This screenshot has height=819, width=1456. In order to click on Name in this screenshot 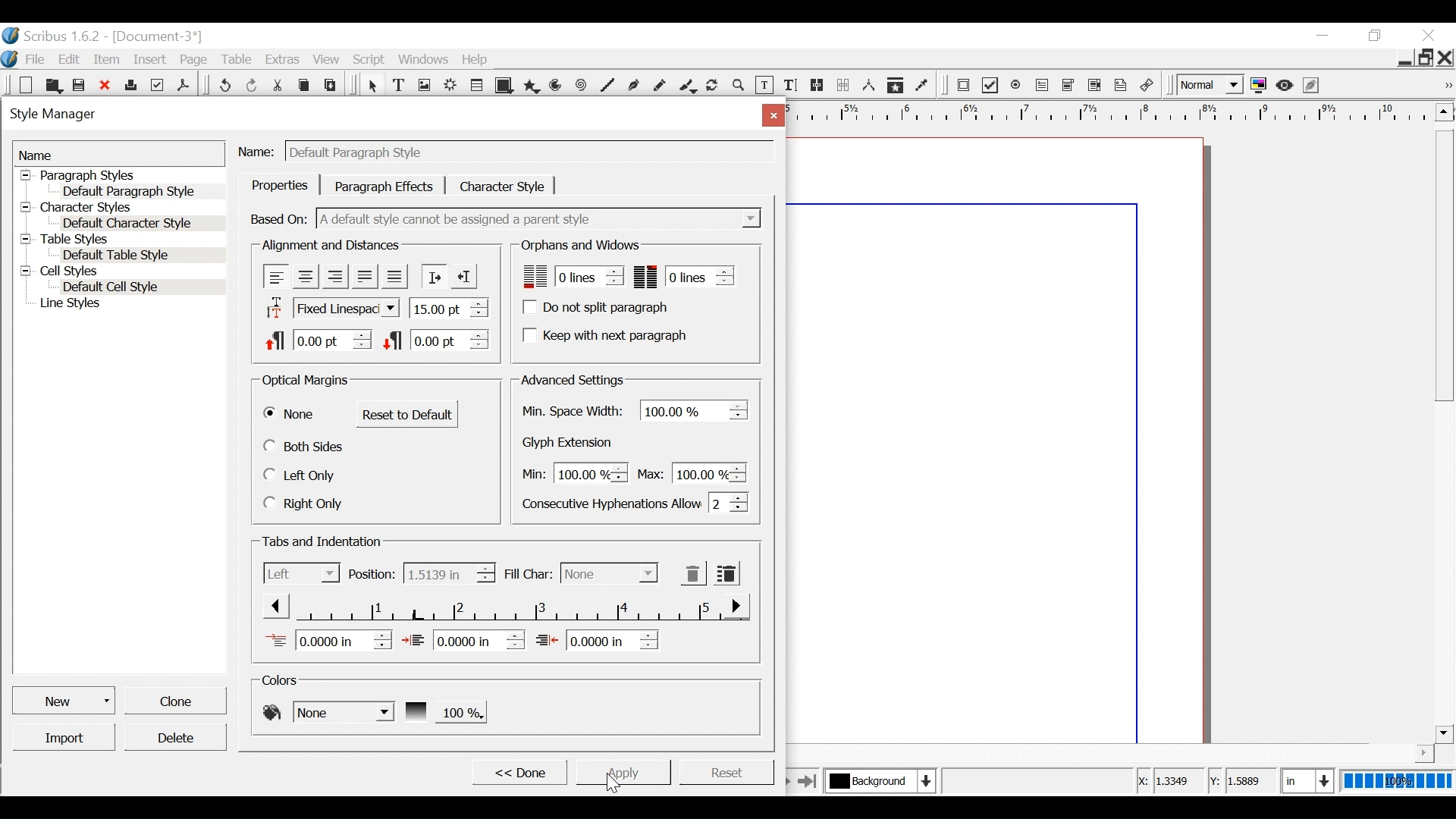, I will do `click(119, 154)`.